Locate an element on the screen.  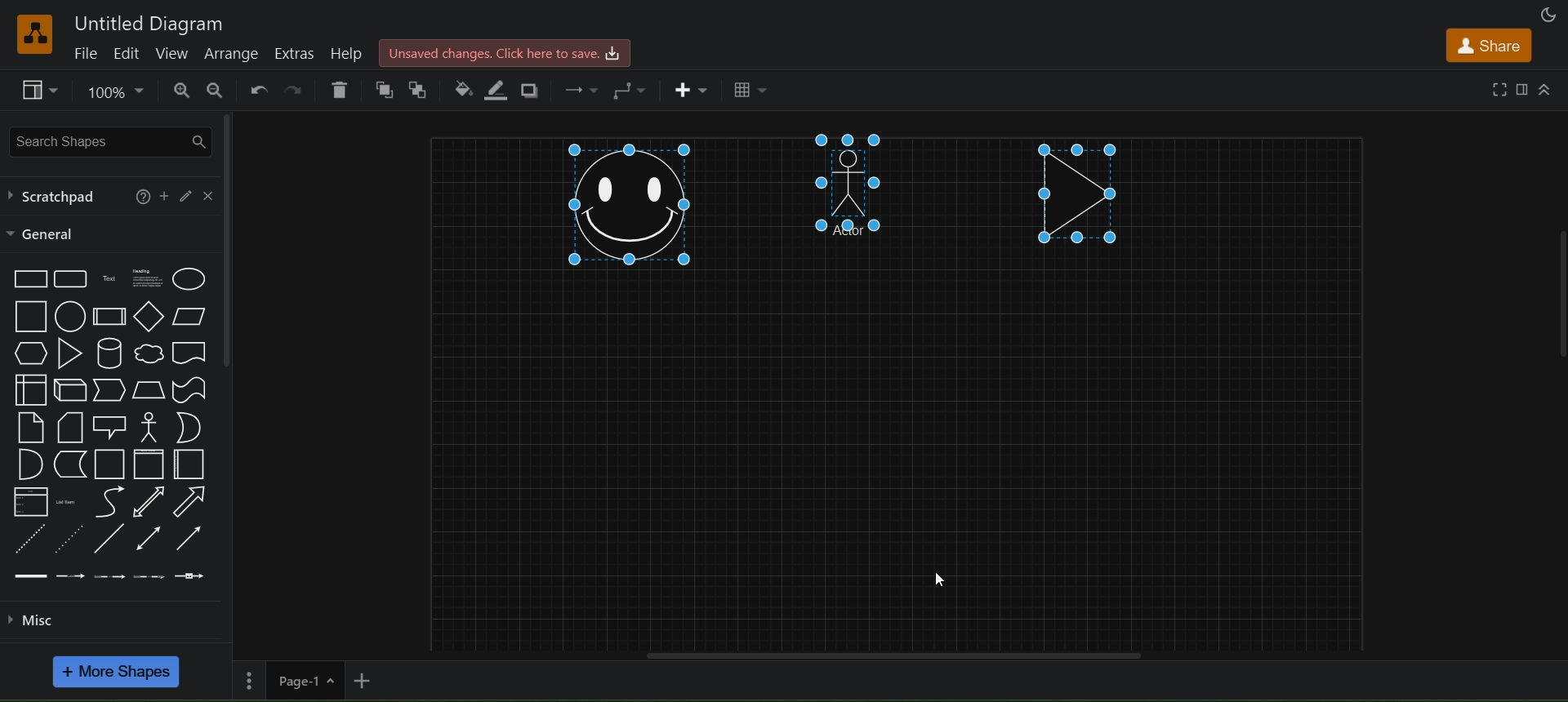
list is located at coordinates (28, 502).